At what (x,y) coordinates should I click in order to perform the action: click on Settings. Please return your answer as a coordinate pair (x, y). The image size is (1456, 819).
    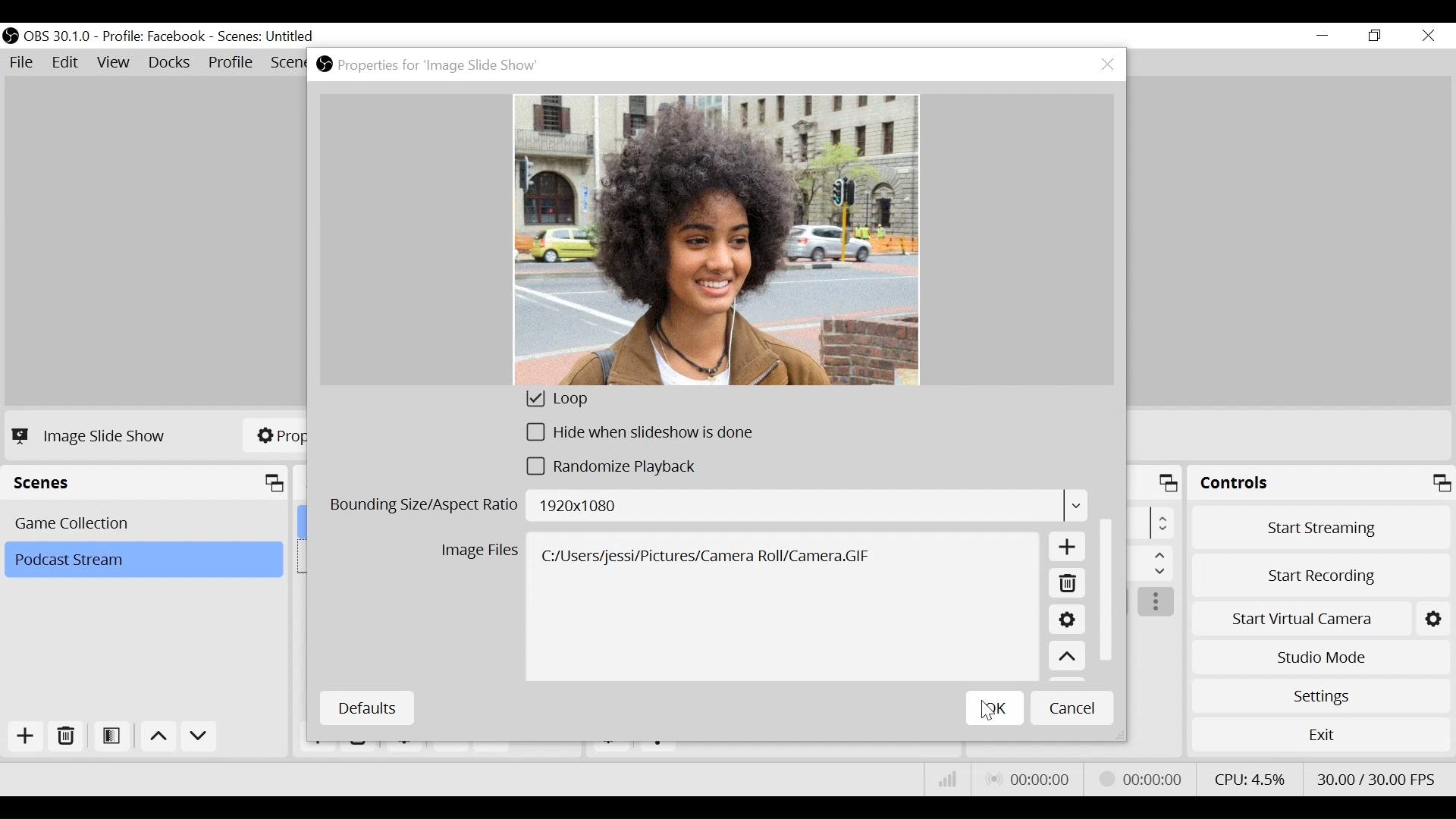
    Looking at the image, I should click on (1066, 622).